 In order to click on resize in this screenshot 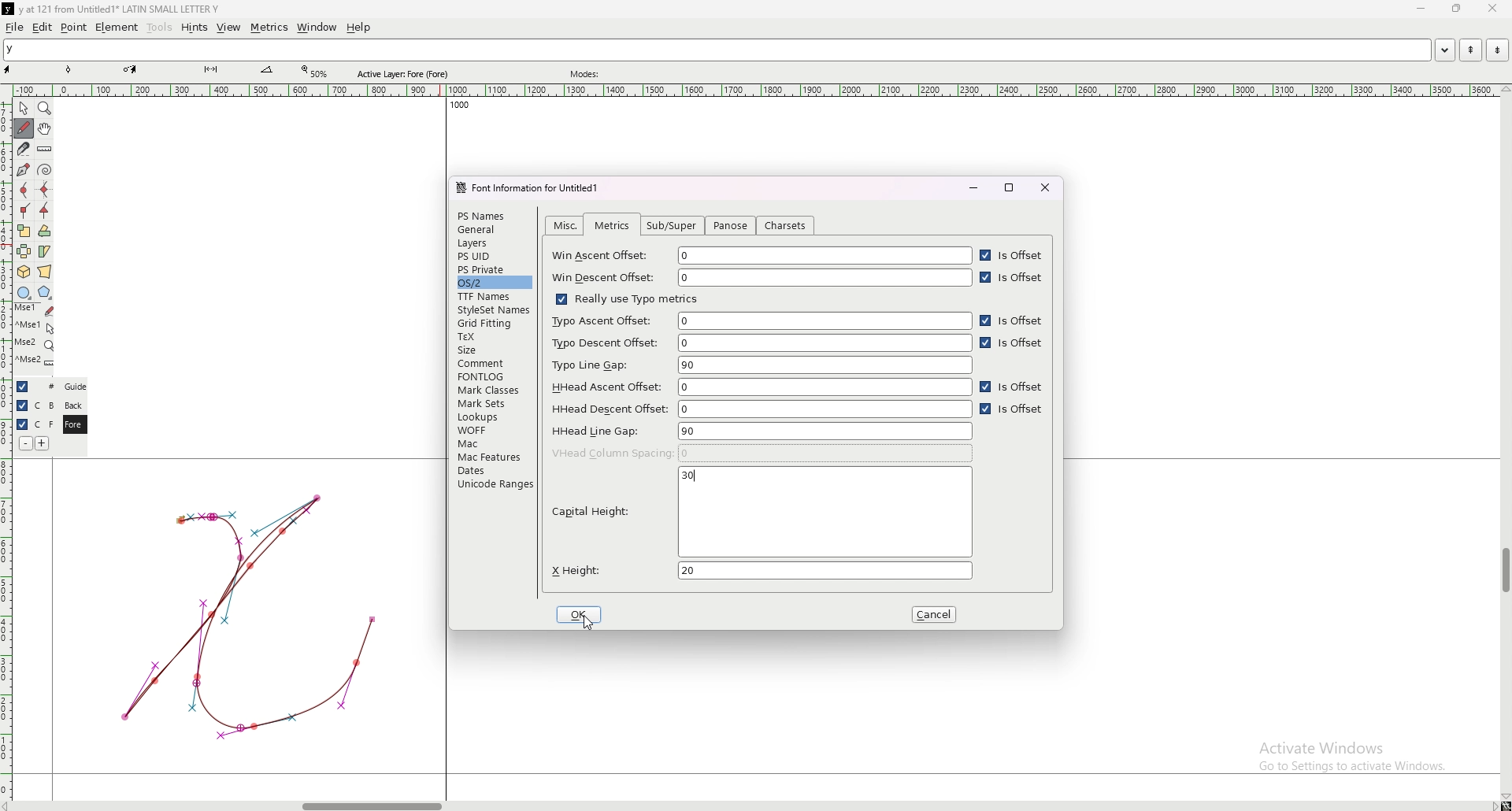, I will do `click(1455, 9)`.